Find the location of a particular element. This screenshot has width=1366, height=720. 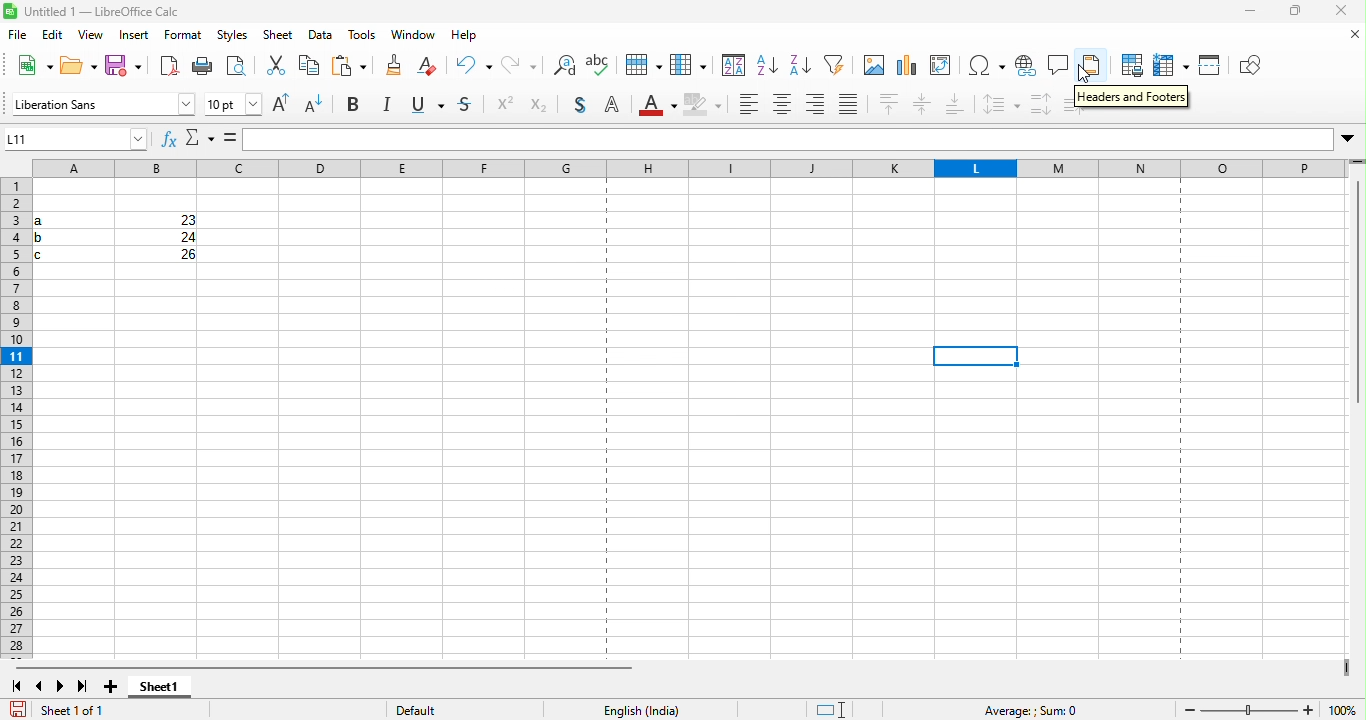

apply outline is located at coordinates (619, 107).